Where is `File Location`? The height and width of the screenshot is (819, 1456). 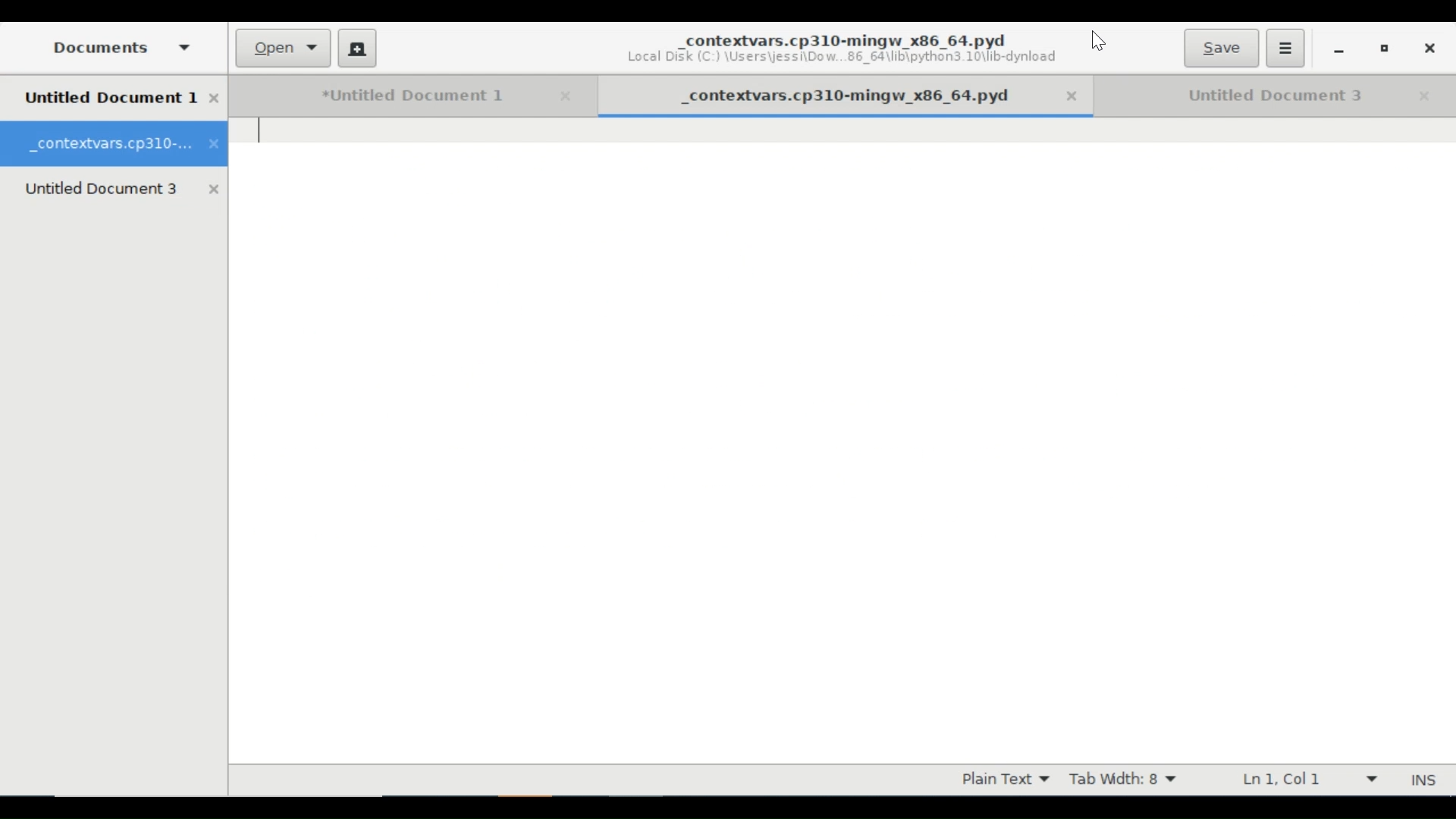 File Location is located at coordinates (847, 58).